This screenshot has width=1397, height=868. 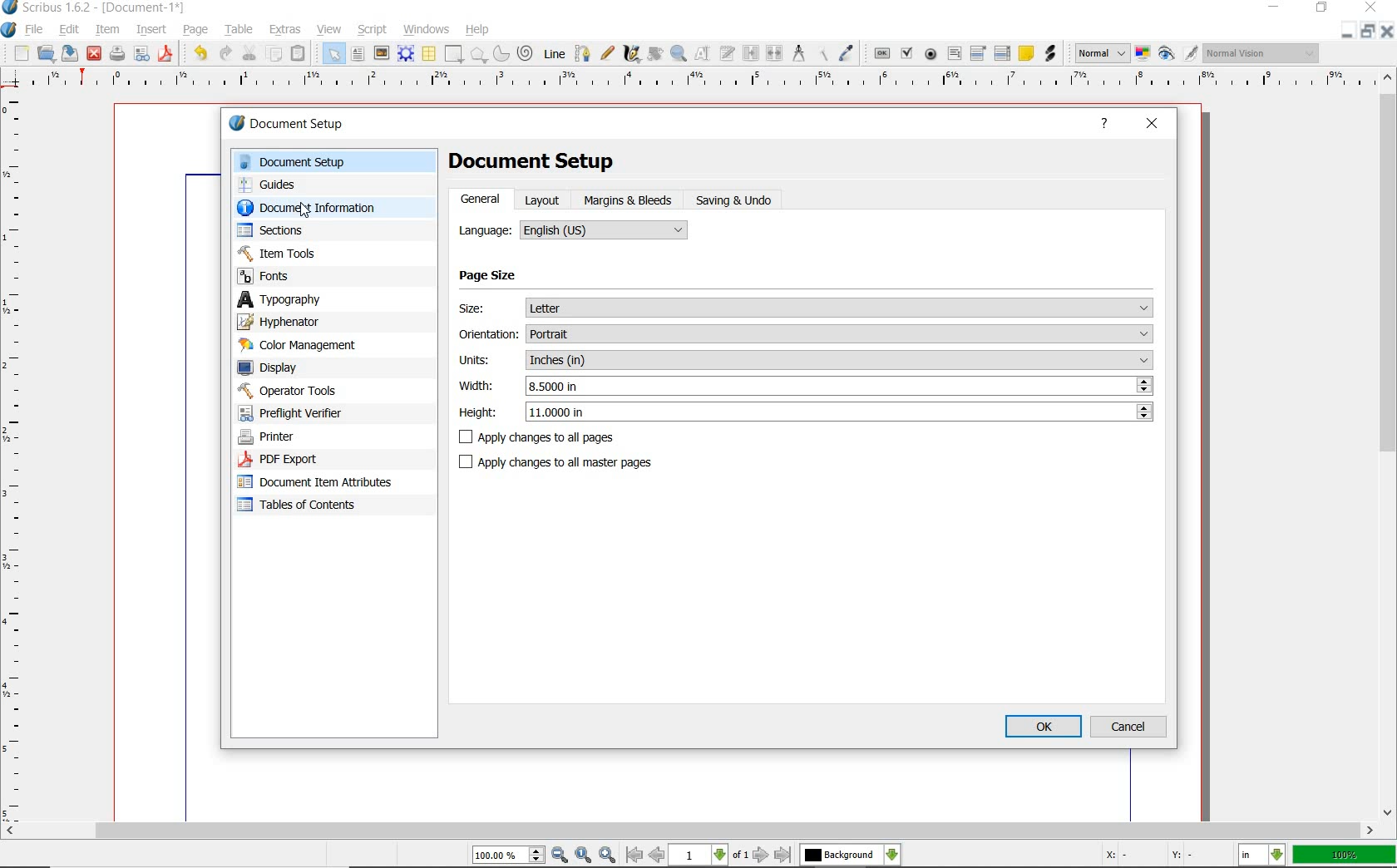 What do you see at coordinates (1389, 31) in the screenshot?
I see `close` at bounding box center [1389, 31].